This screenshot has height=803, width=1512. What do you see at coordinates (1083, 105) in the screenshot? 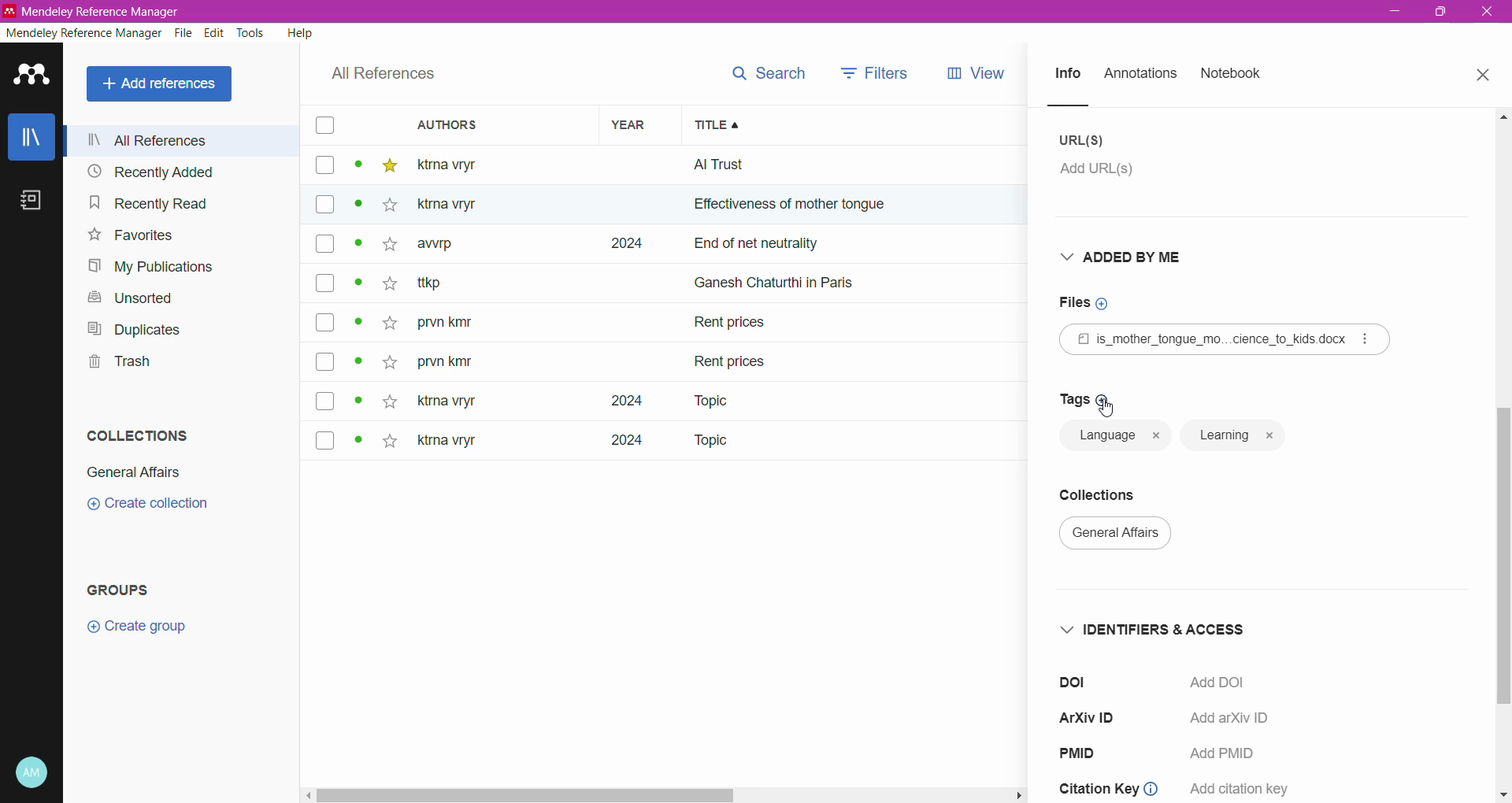
I see `line ` at bounding box center [1083, 105].